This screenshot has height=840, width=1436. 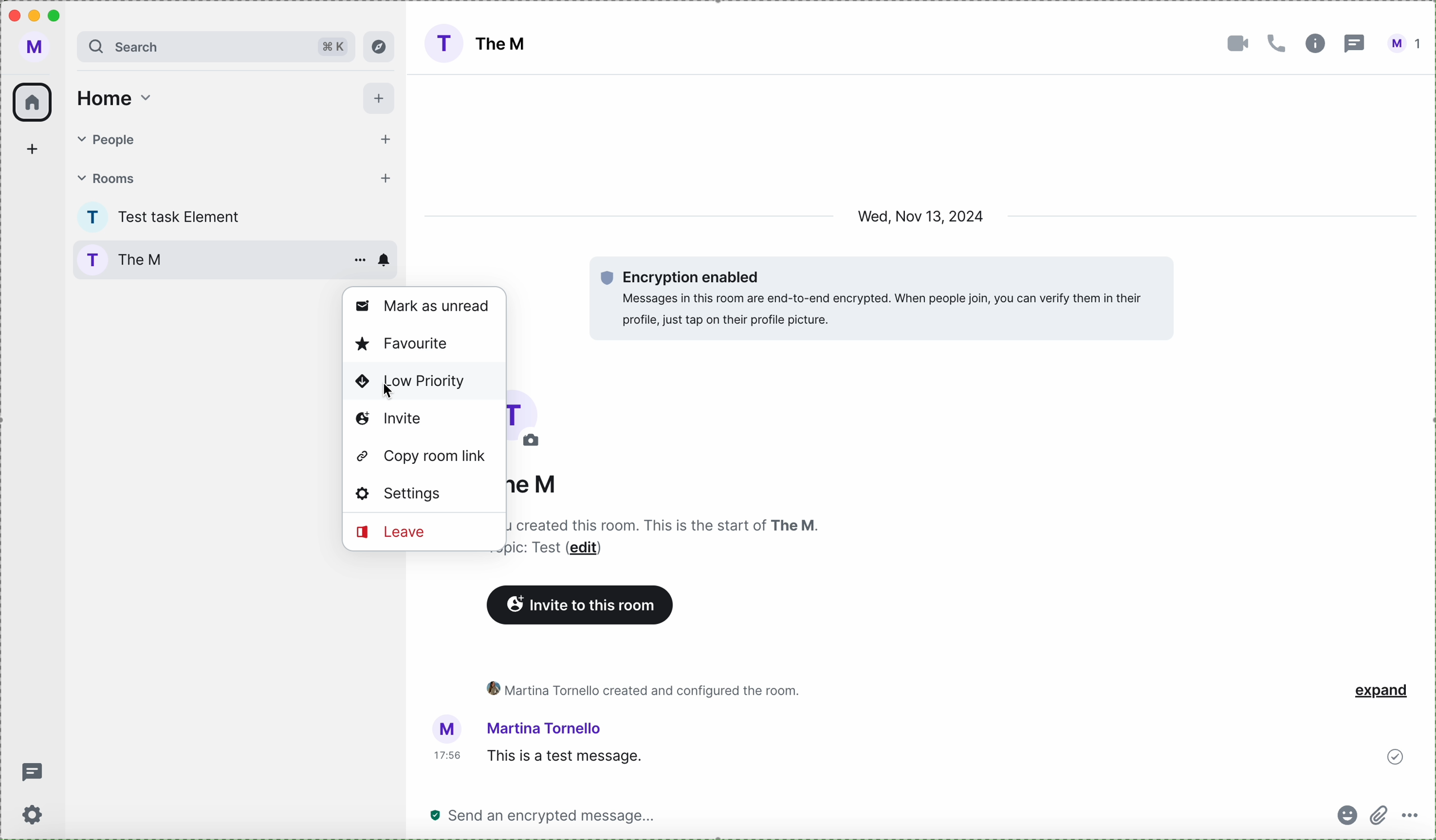 I want to click on profile, so click(x=95, y=217).